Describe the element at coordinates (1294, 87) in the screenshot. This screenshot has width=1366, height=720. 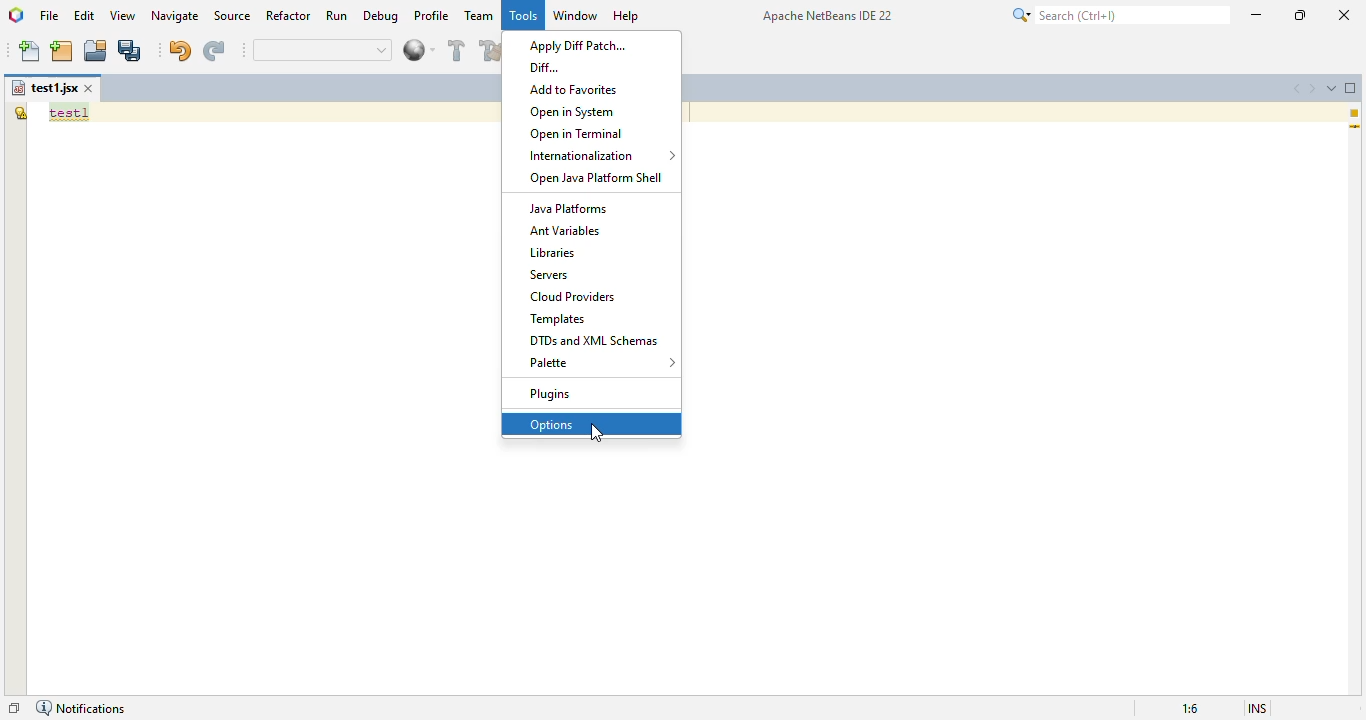
I see `scroll documents left` at that location.